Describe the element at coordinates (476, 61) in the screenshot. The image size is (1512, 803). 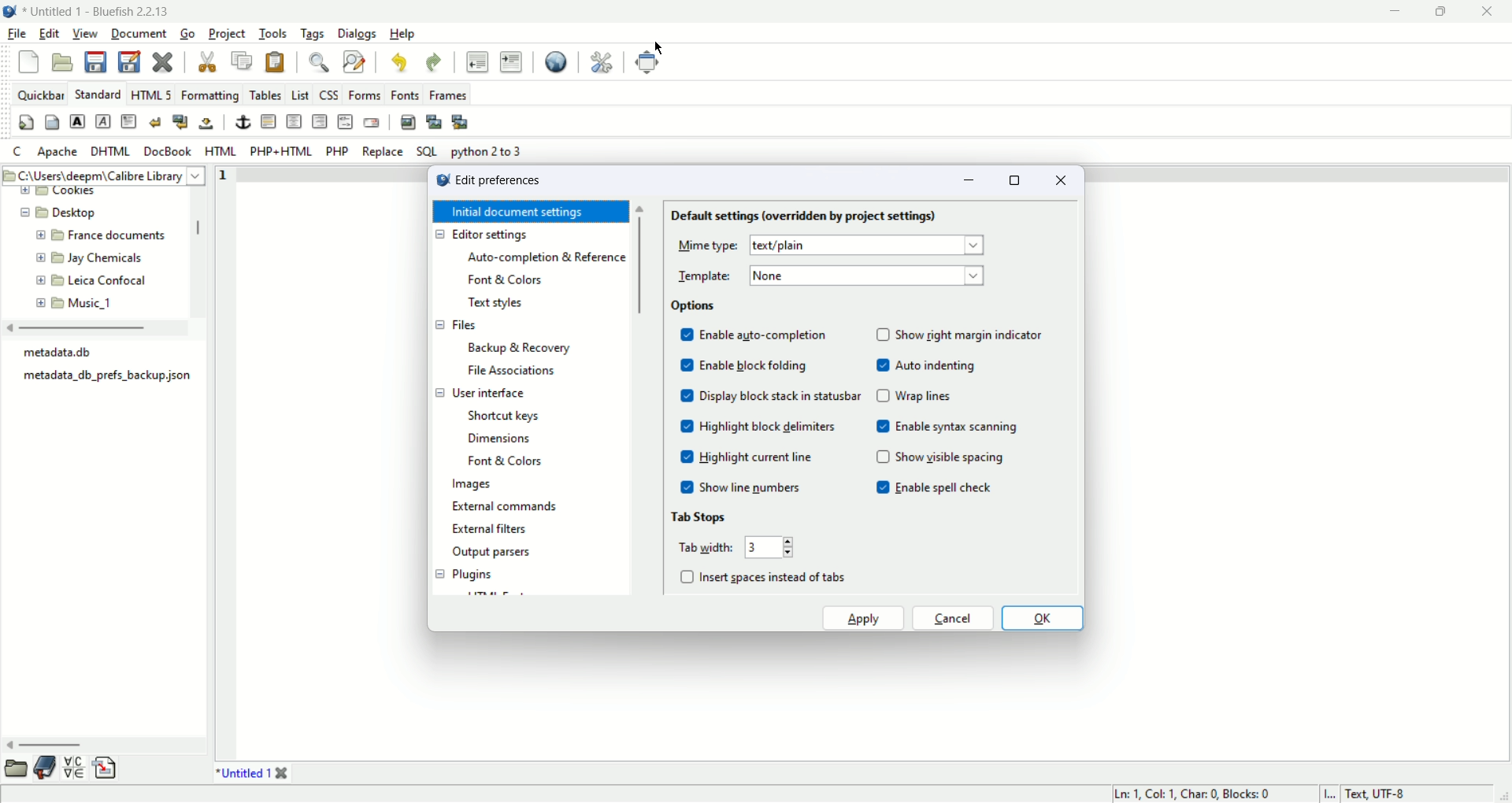
I see `unindent` at that location.